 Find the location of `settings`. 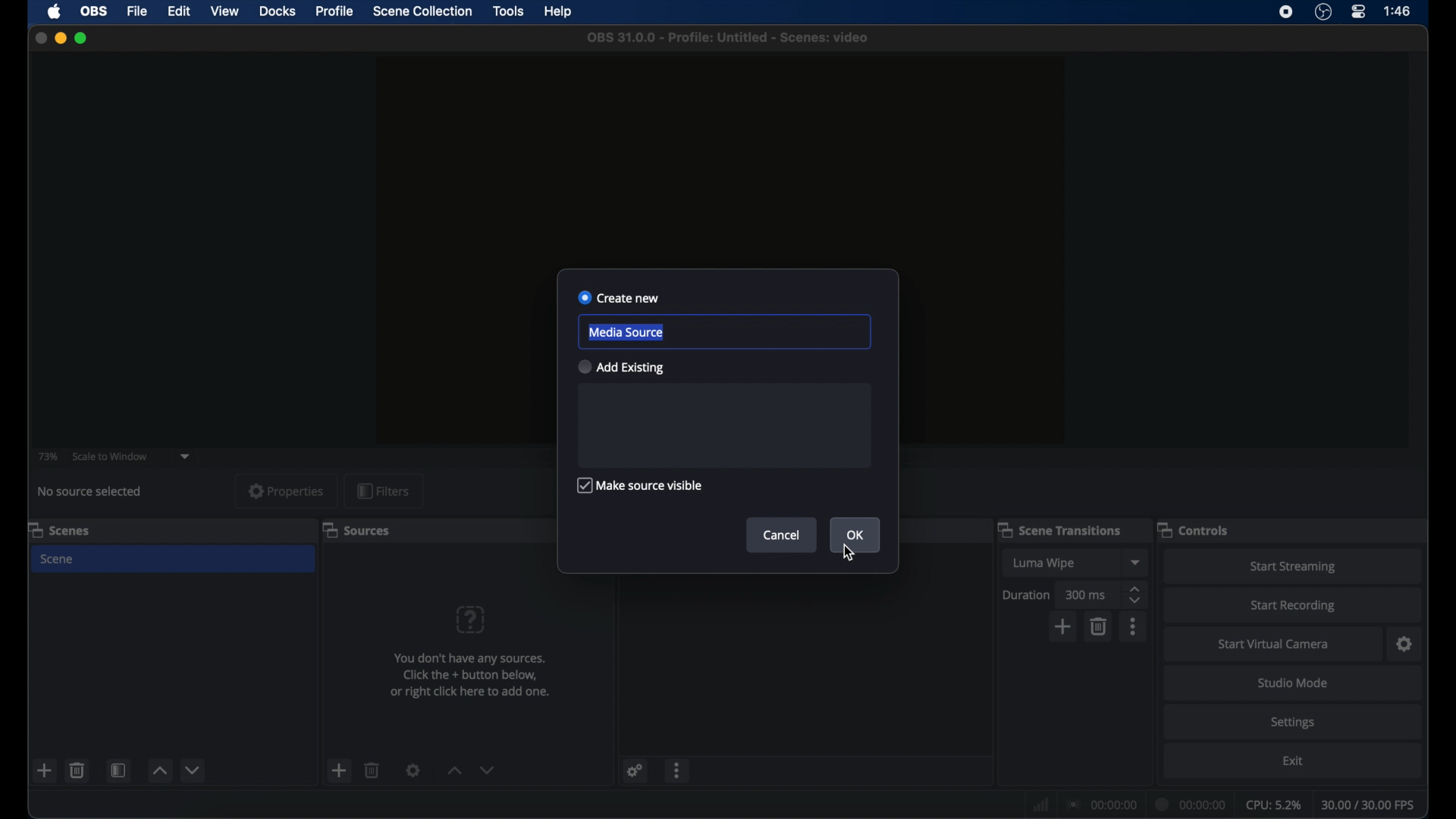

settings is located at coordinates (1294, 723).